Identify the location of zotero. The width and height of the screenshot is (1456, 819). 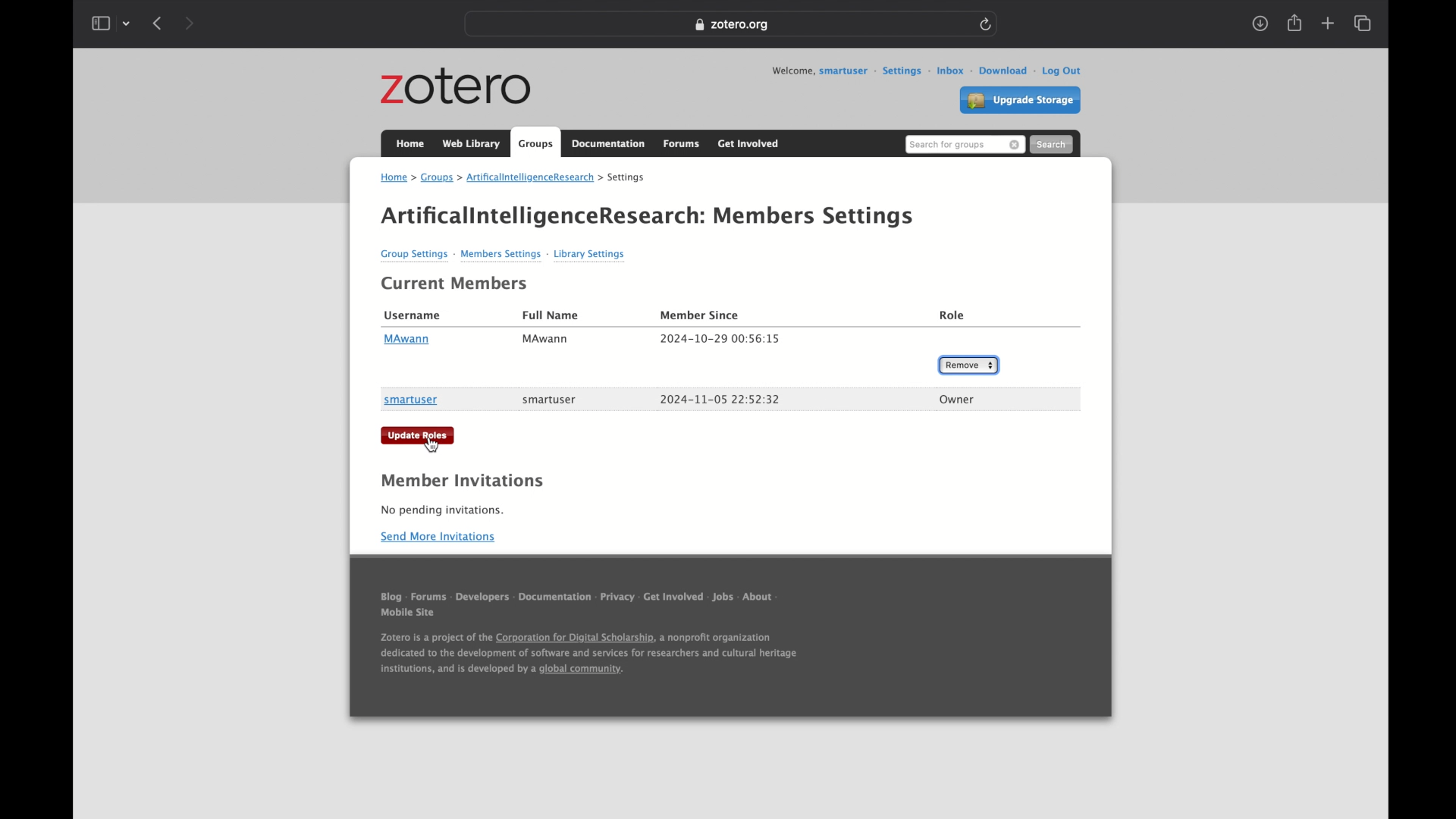
(457, 87).